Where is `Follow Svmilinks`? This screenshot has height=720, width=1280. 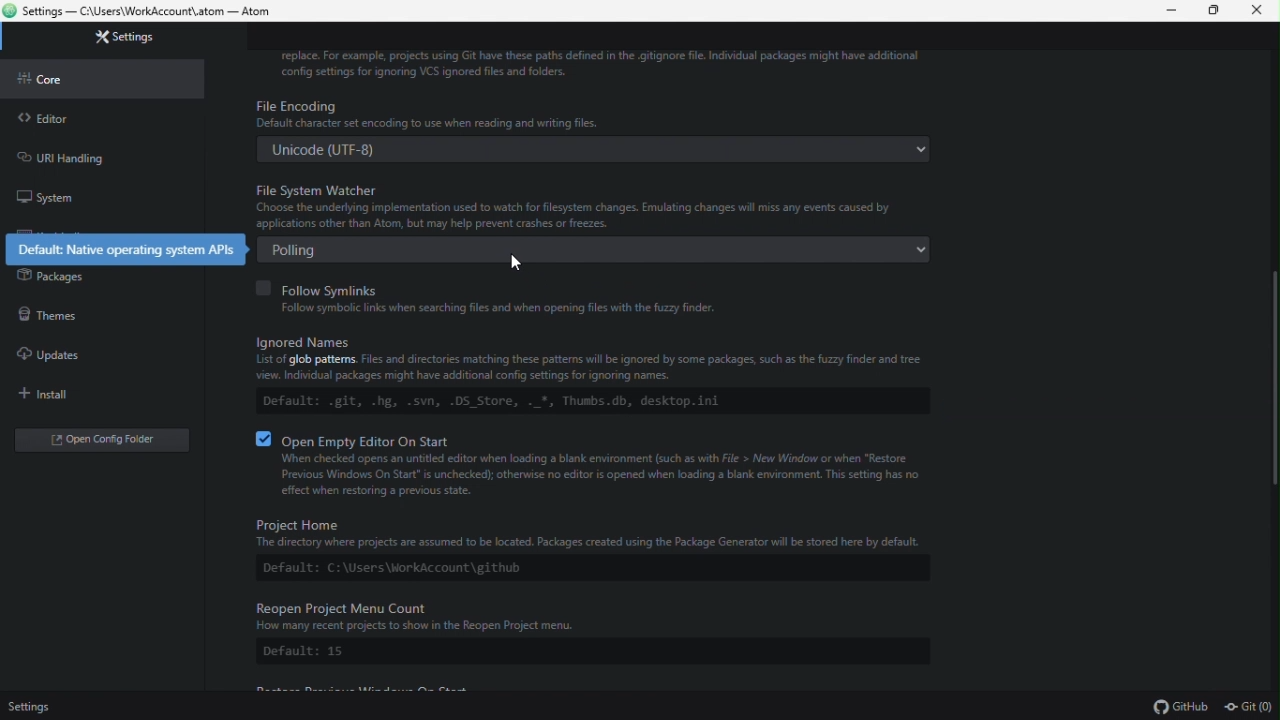 Follow Svmilinks is located at coordinates (323, 286).